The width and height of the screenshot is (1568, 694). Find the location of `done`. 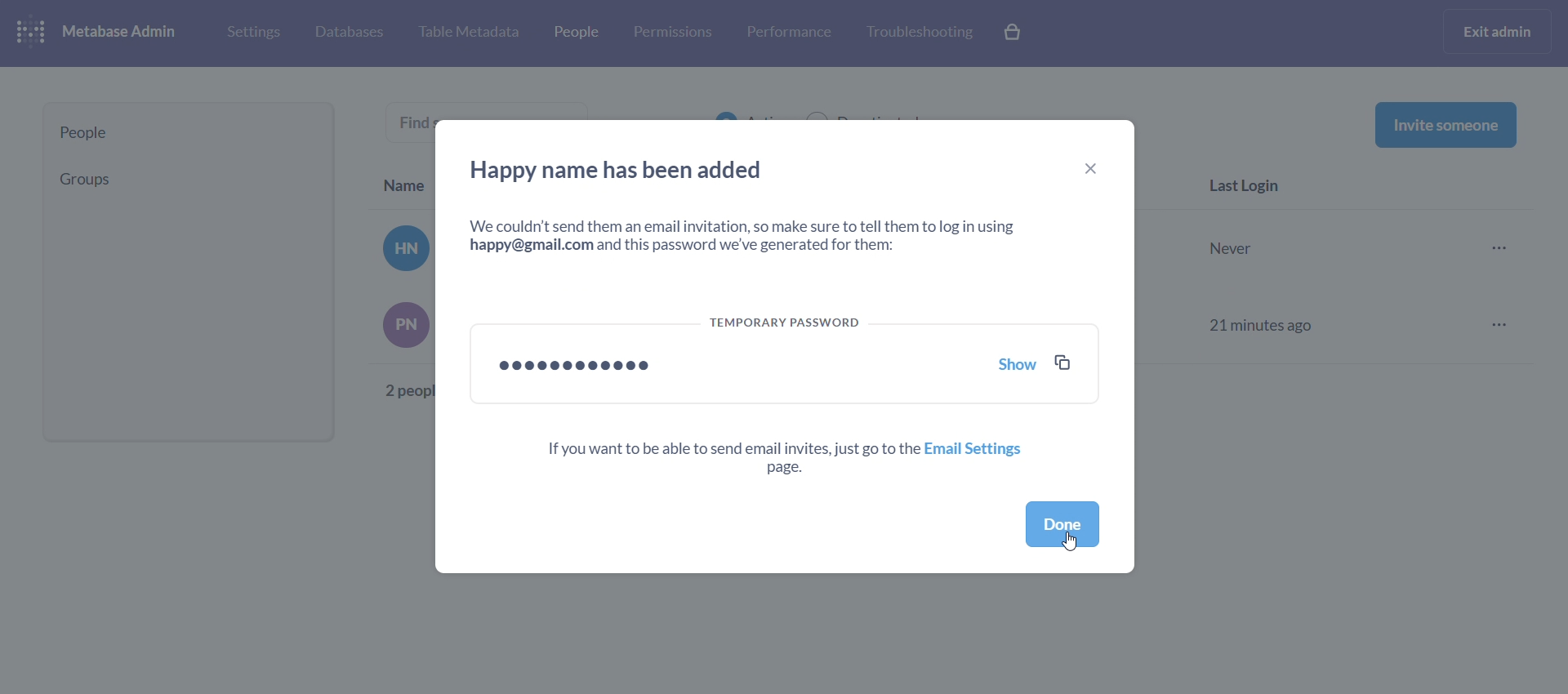

done is located at coordinates (1063, 527).